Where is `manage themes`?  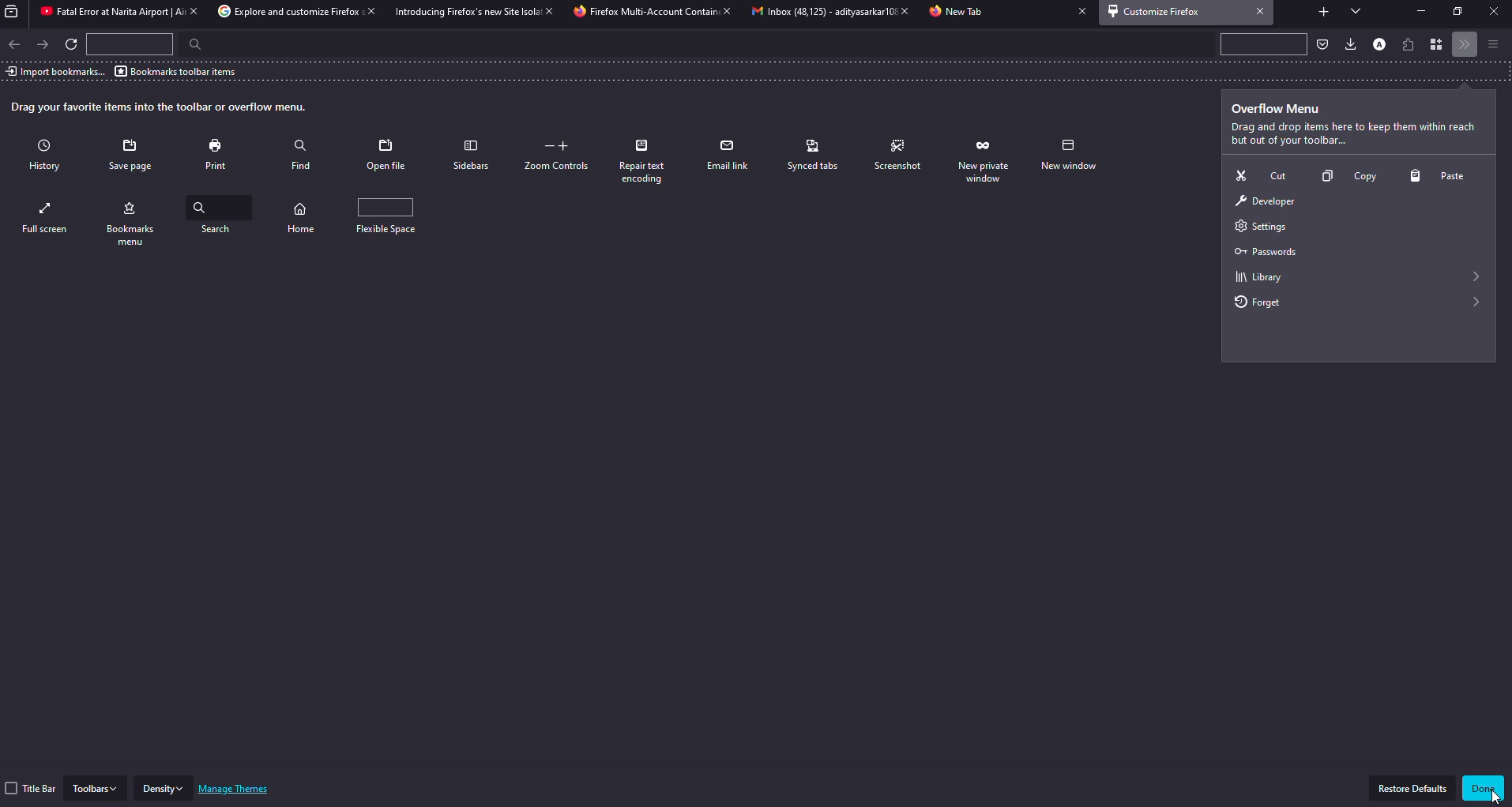
manage themes is located at coordinates (235, 789).